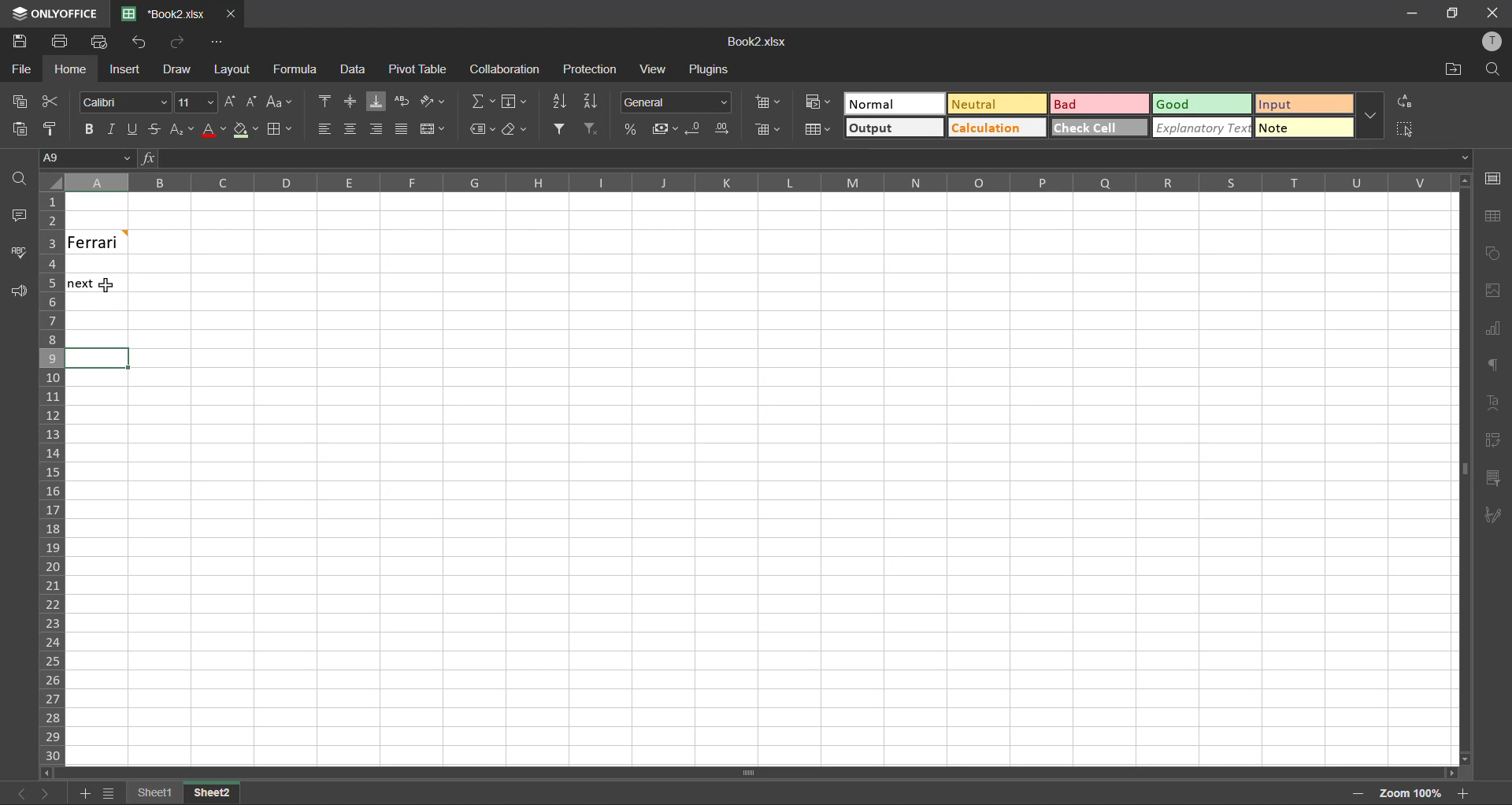 The height and width of the screenshot is (805, 1512). What do you see at coordinates (1495, 517) in the screenshot?
I see `signature` at bounding box center [1495, 517].